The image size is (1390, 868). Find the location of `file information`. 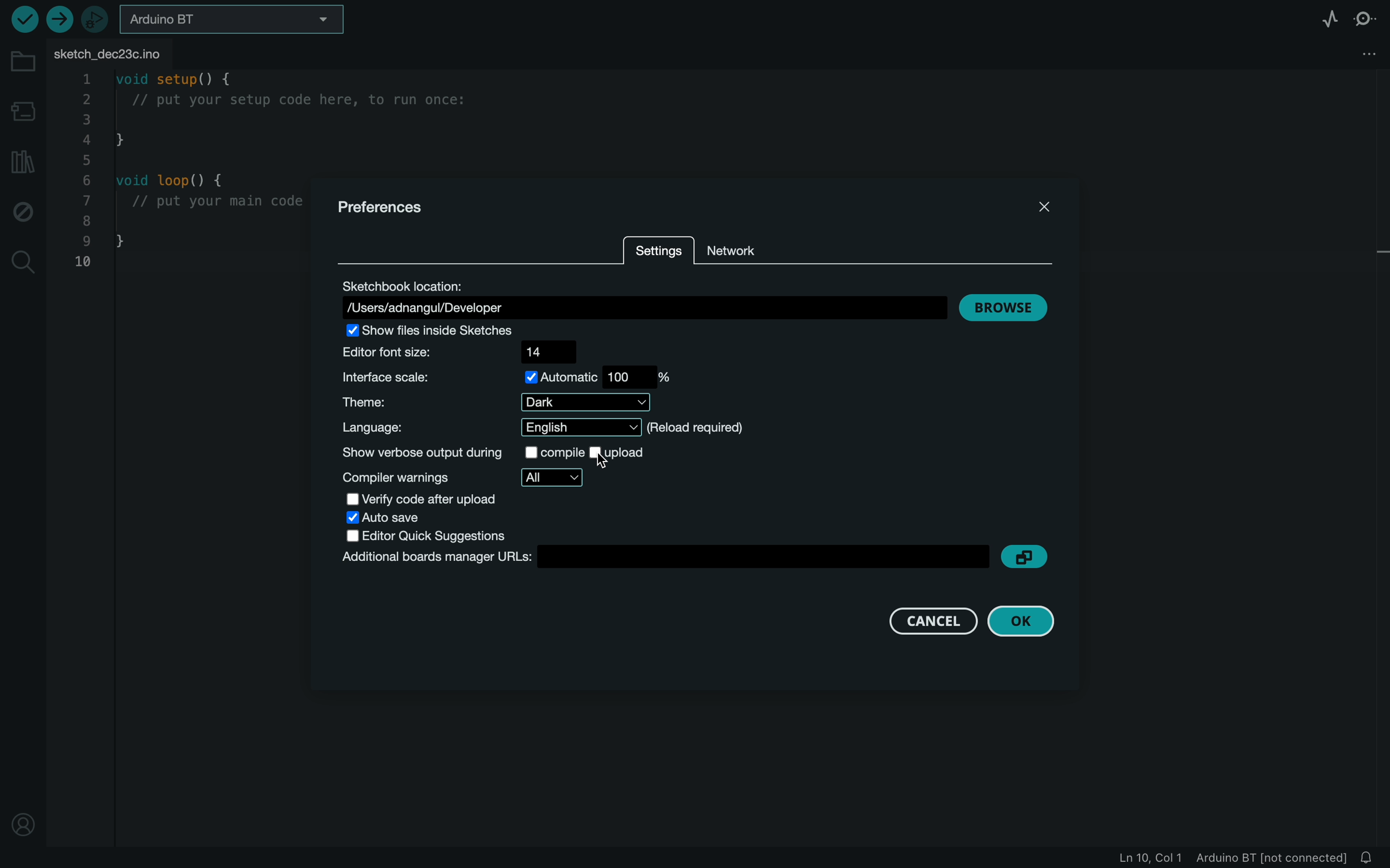

file information is located at coordinates (1214, 858).